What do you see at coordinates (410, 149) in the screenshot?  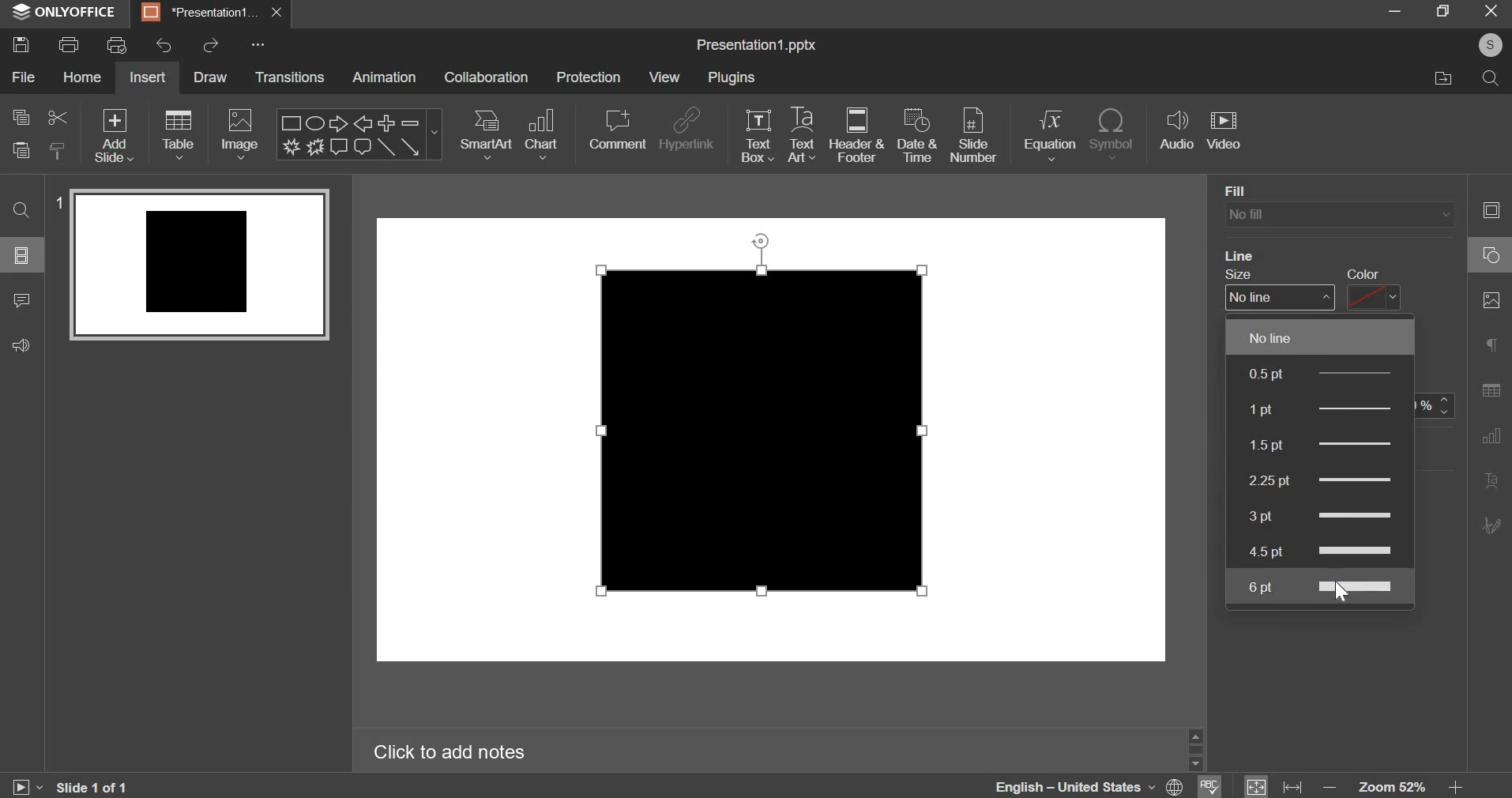 I see `Side arrow` at bounding box center [410, 149].